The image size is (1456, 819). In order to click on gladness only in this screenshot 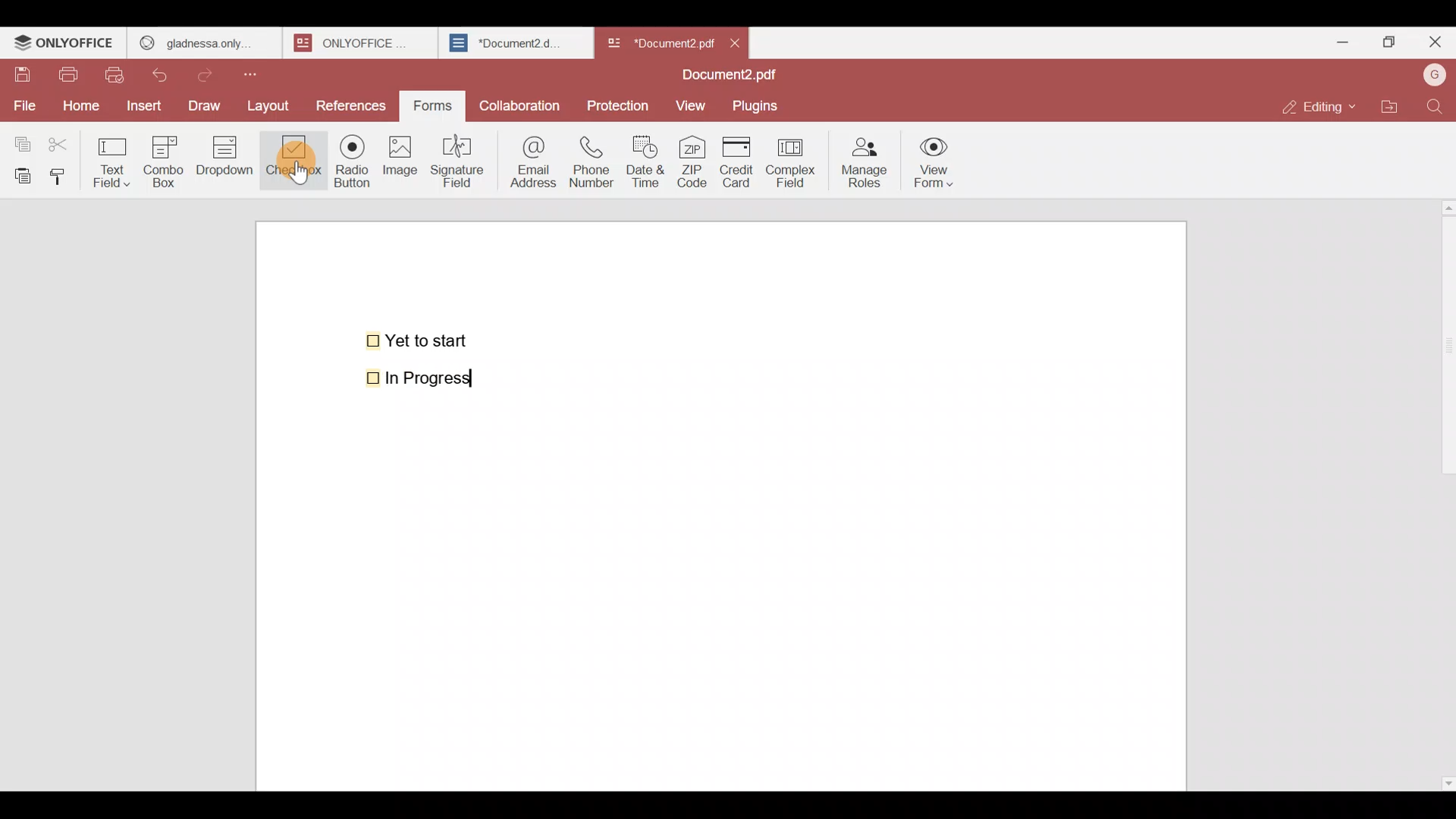, I will do `click(203, 39)`.